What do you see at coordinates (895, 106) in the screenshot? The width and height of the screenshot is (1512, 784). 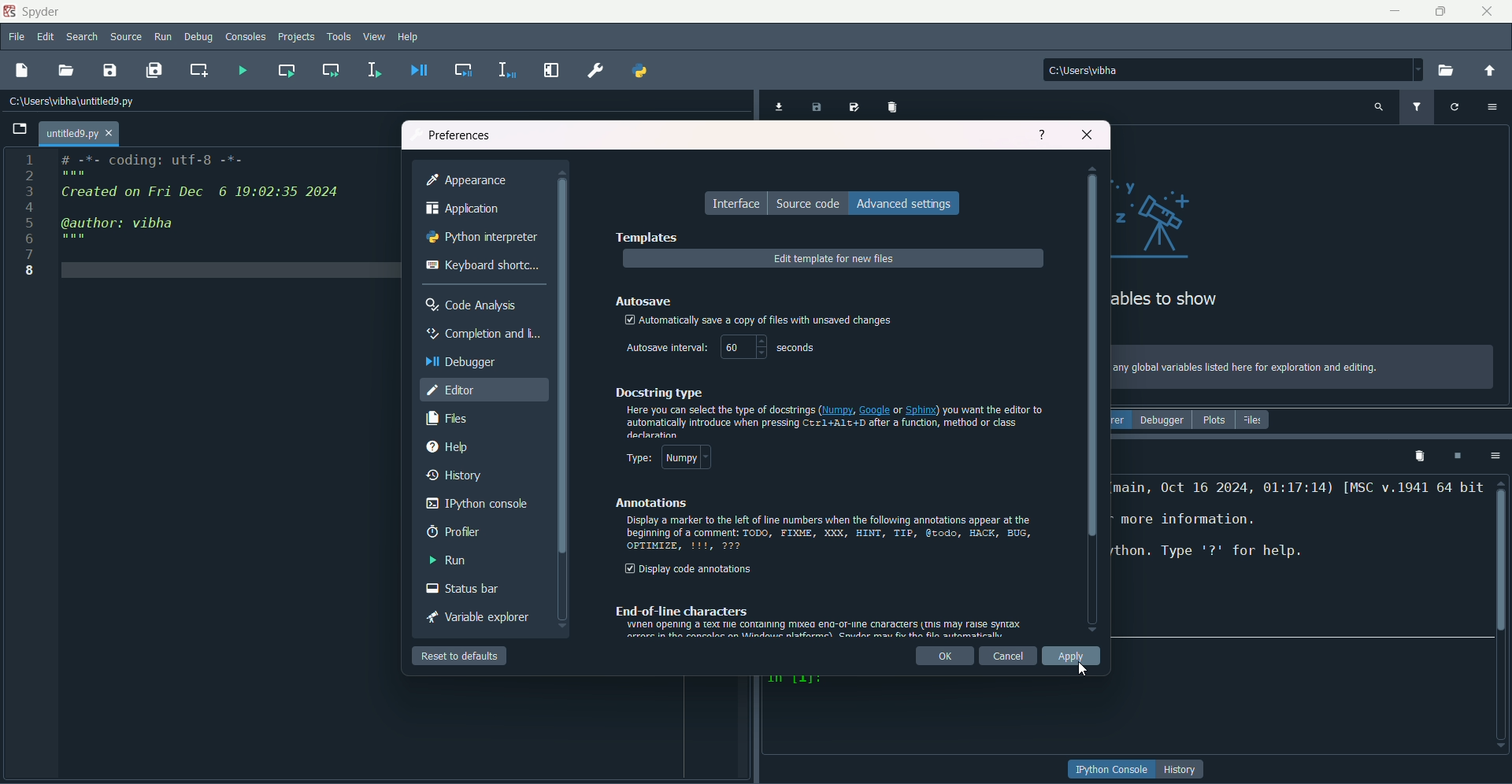 I see `remove all variables` at bounding box center [895, 106].